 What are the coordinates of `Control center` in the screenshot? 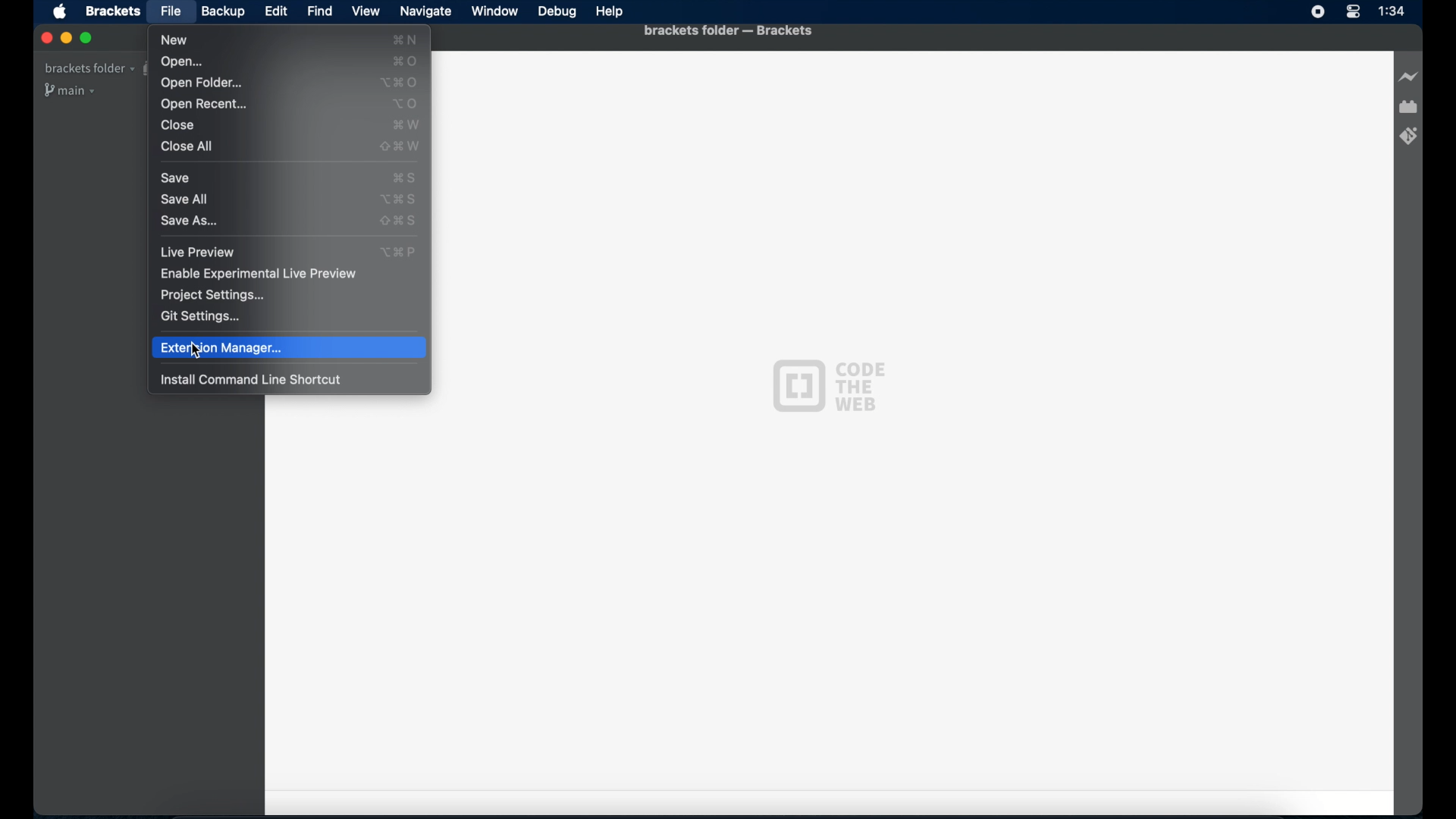 It's located at (1352, 12).